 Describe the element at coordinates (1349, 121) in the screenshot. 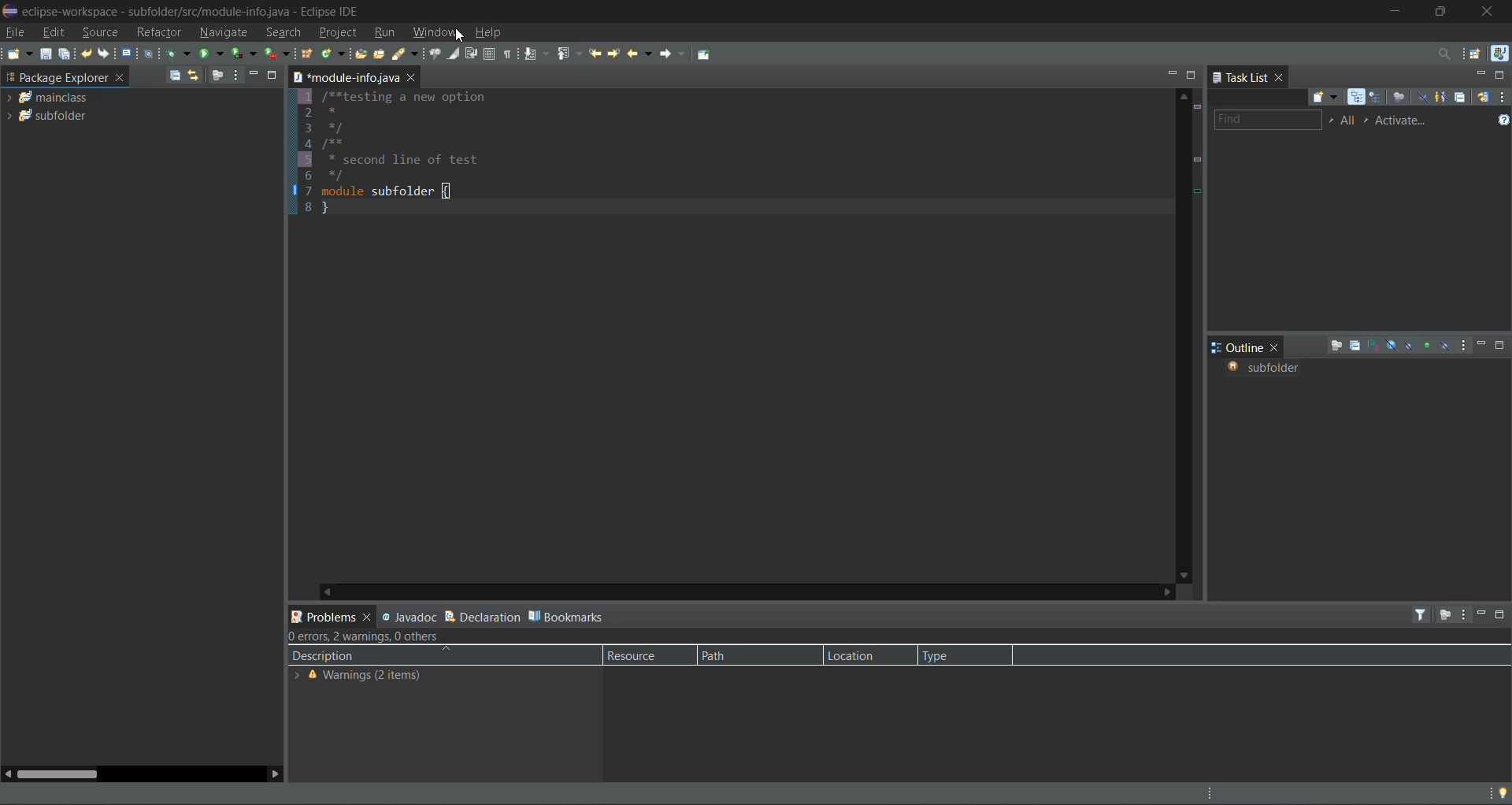

I see `edit task working sets` at that location.